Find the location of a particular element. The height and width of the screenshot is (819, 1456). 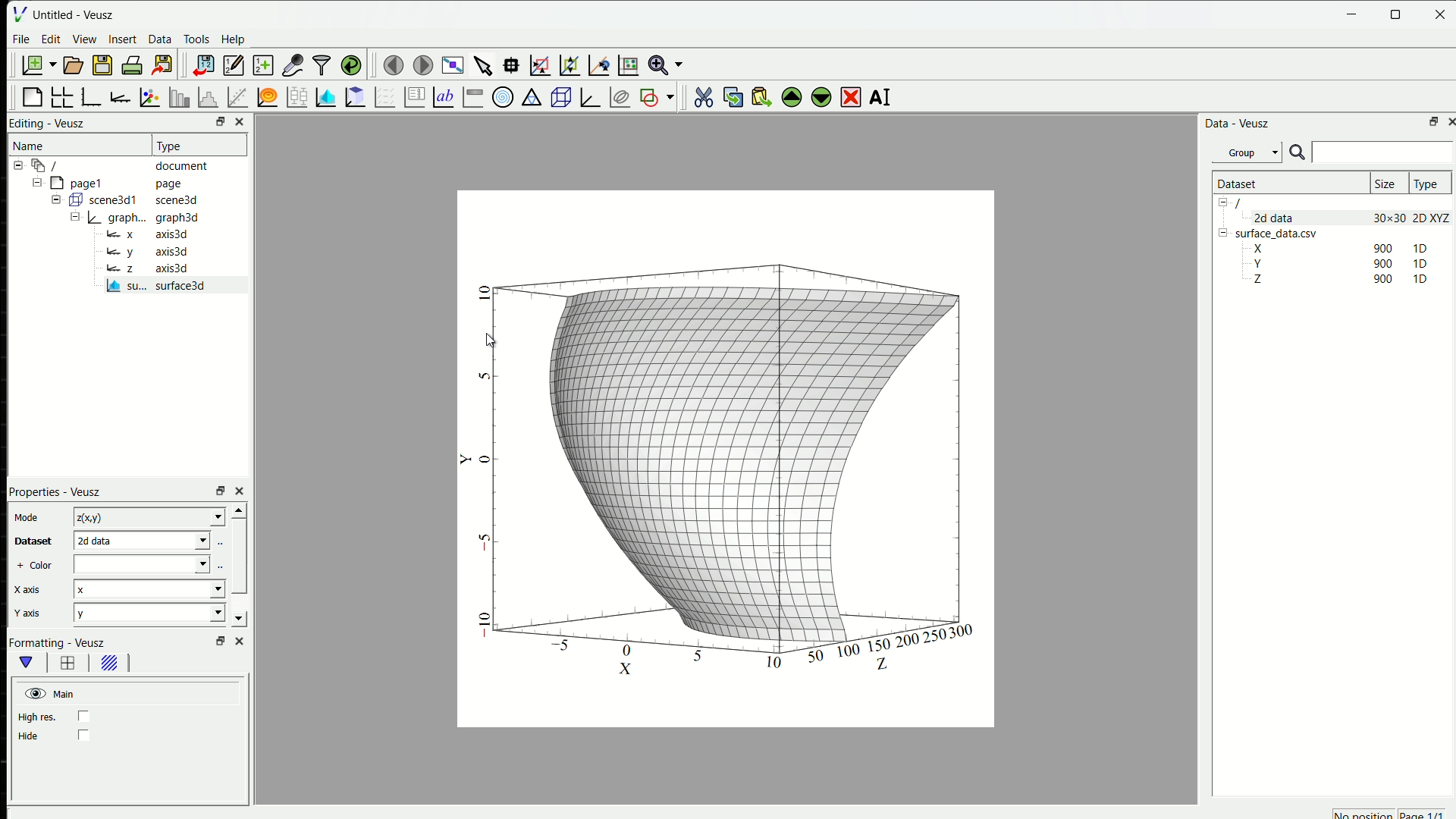

view plot full screen is located at coordinates (453, 65).